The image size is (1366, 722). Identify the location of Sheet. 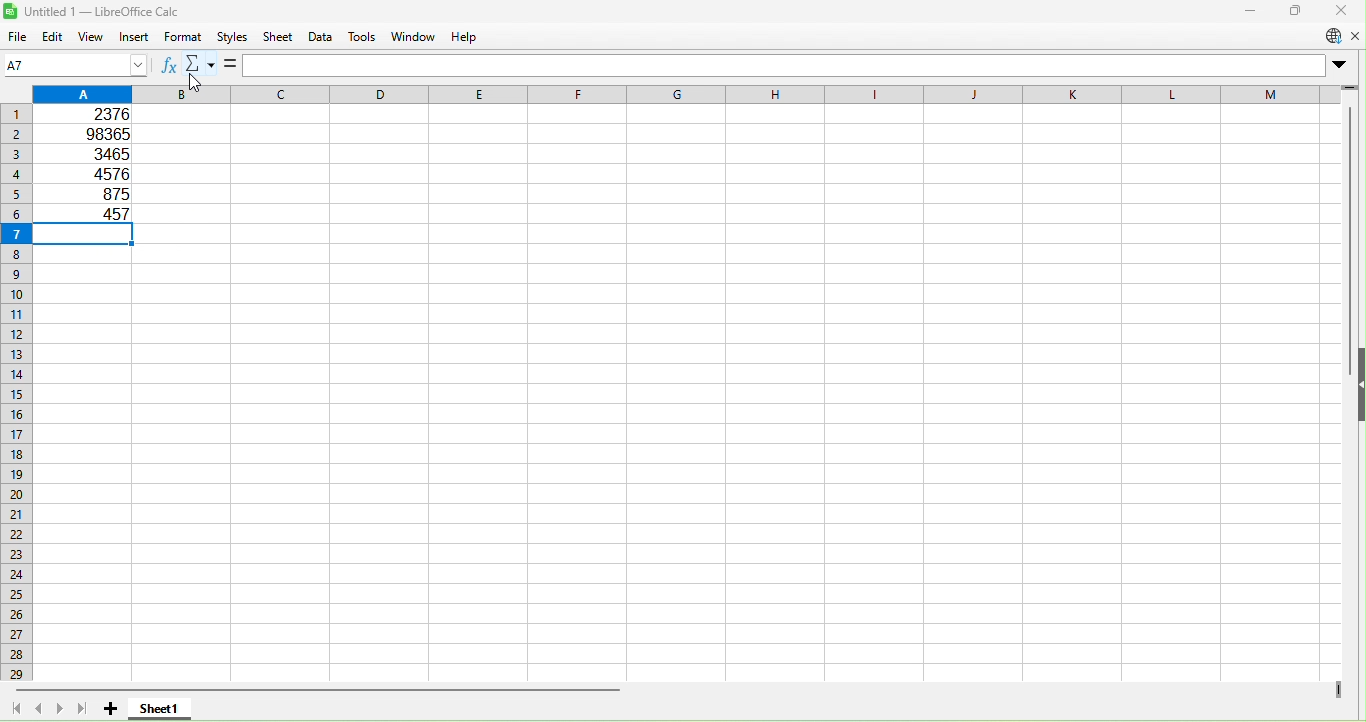
(280, 39).